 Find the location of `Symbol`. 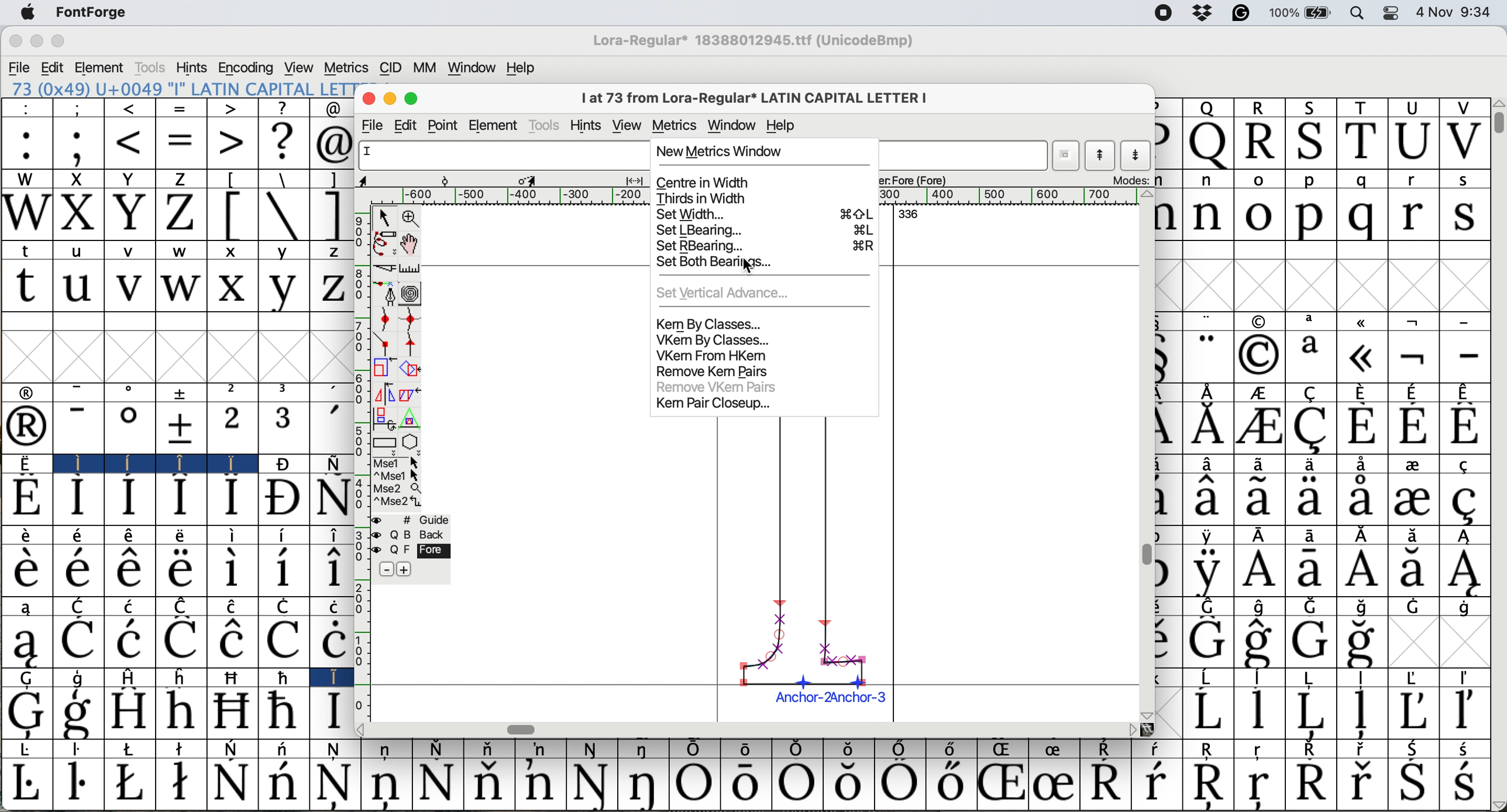

Symbol is located at coordinates (228, 465).